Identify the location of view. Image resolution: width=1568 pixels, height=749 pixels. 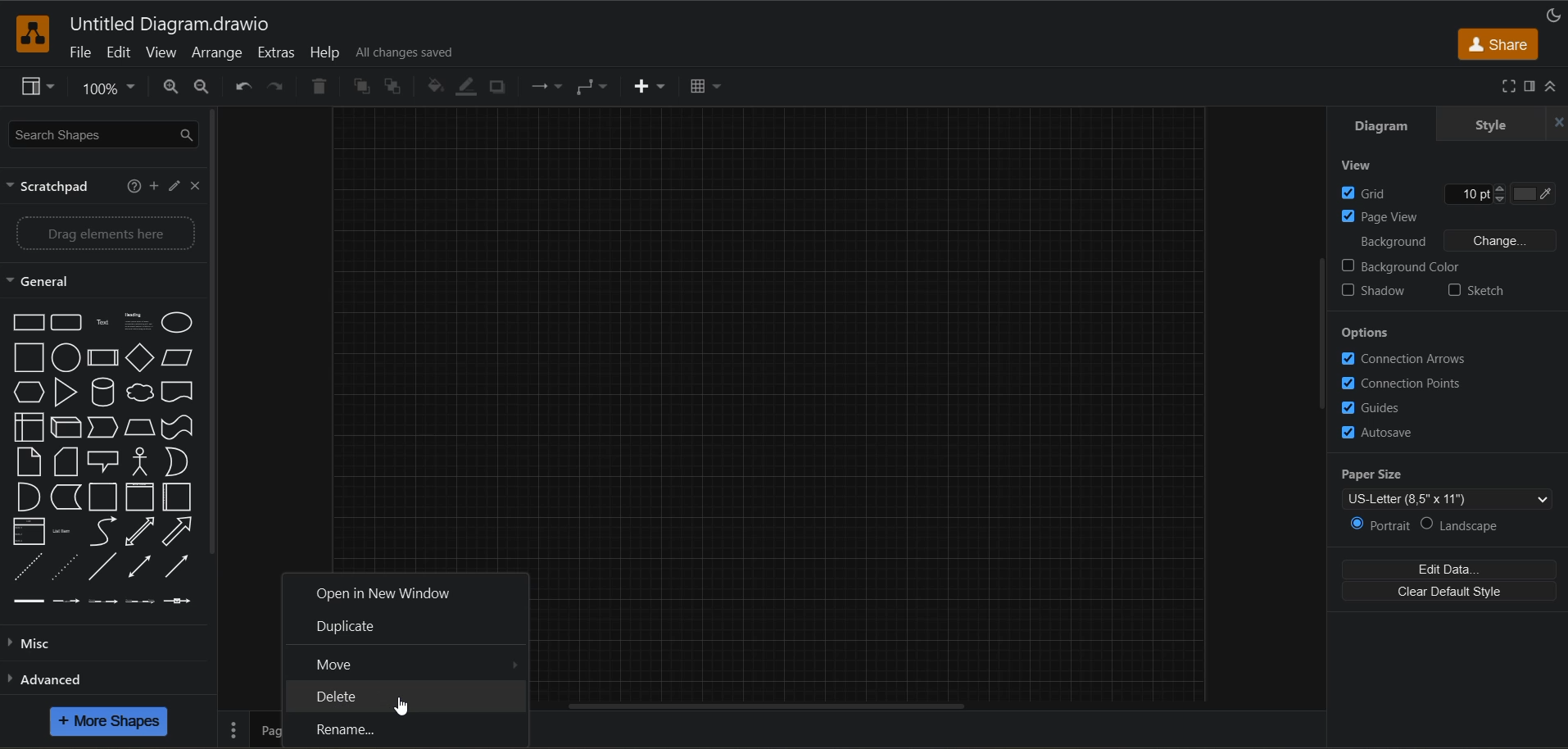
(38, 86).